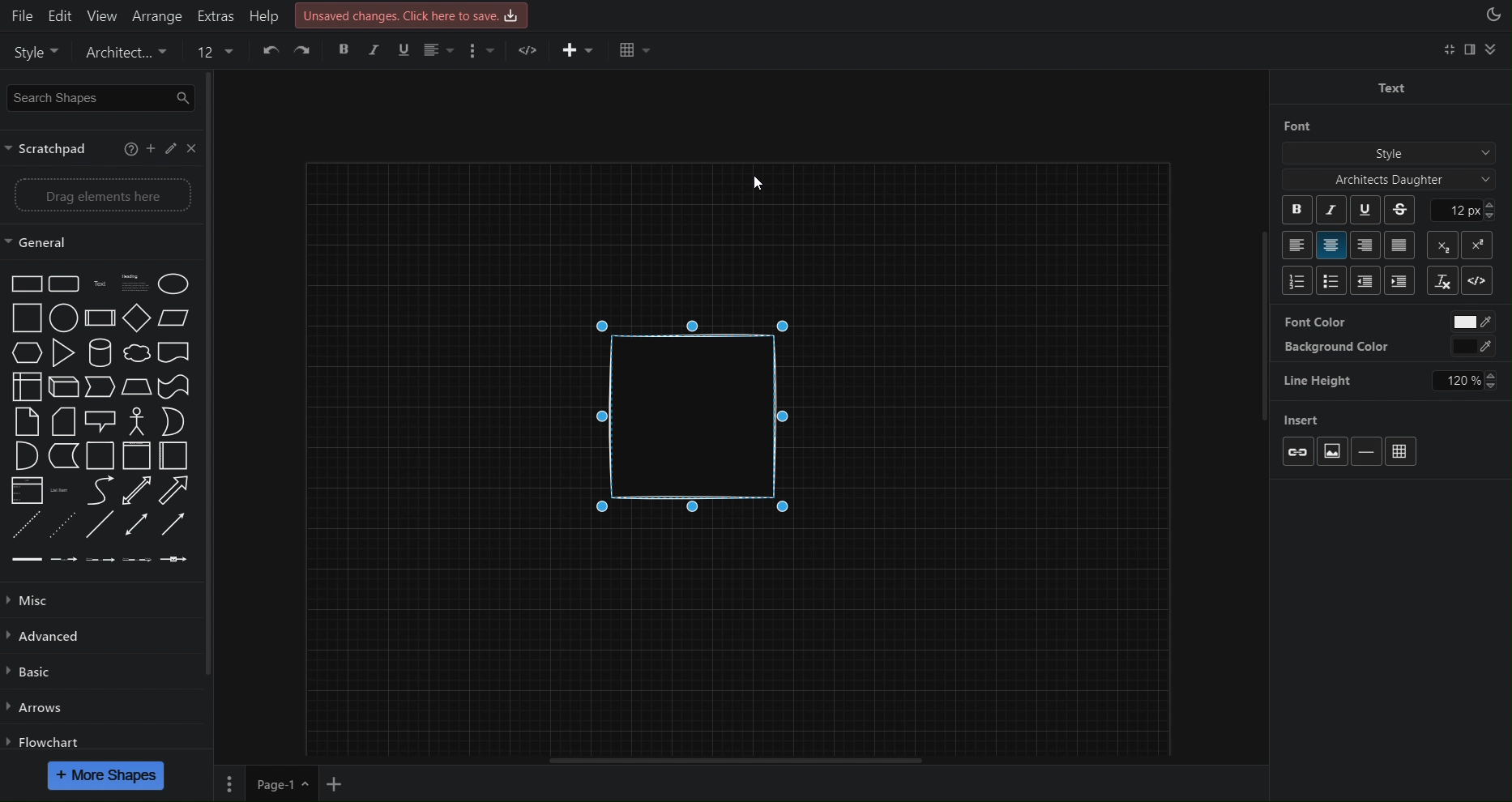 Image resolution: width=1512 pixels, height=802 pixels. I want to click on Delete, so click(306, 51).